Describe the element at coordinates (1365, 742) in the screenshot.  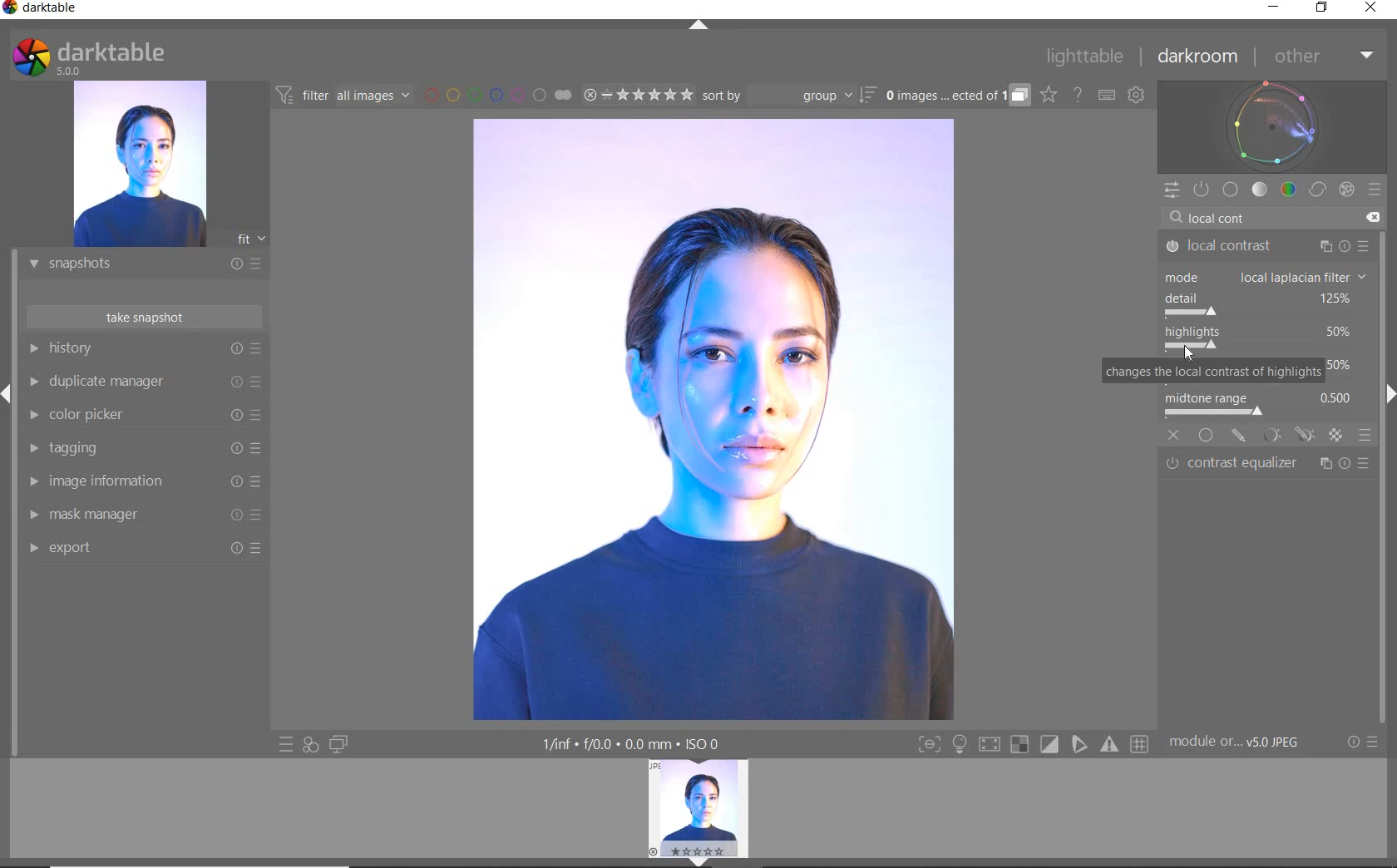
I see `RESET OR PRESETS & PREFERENCES` at that location.